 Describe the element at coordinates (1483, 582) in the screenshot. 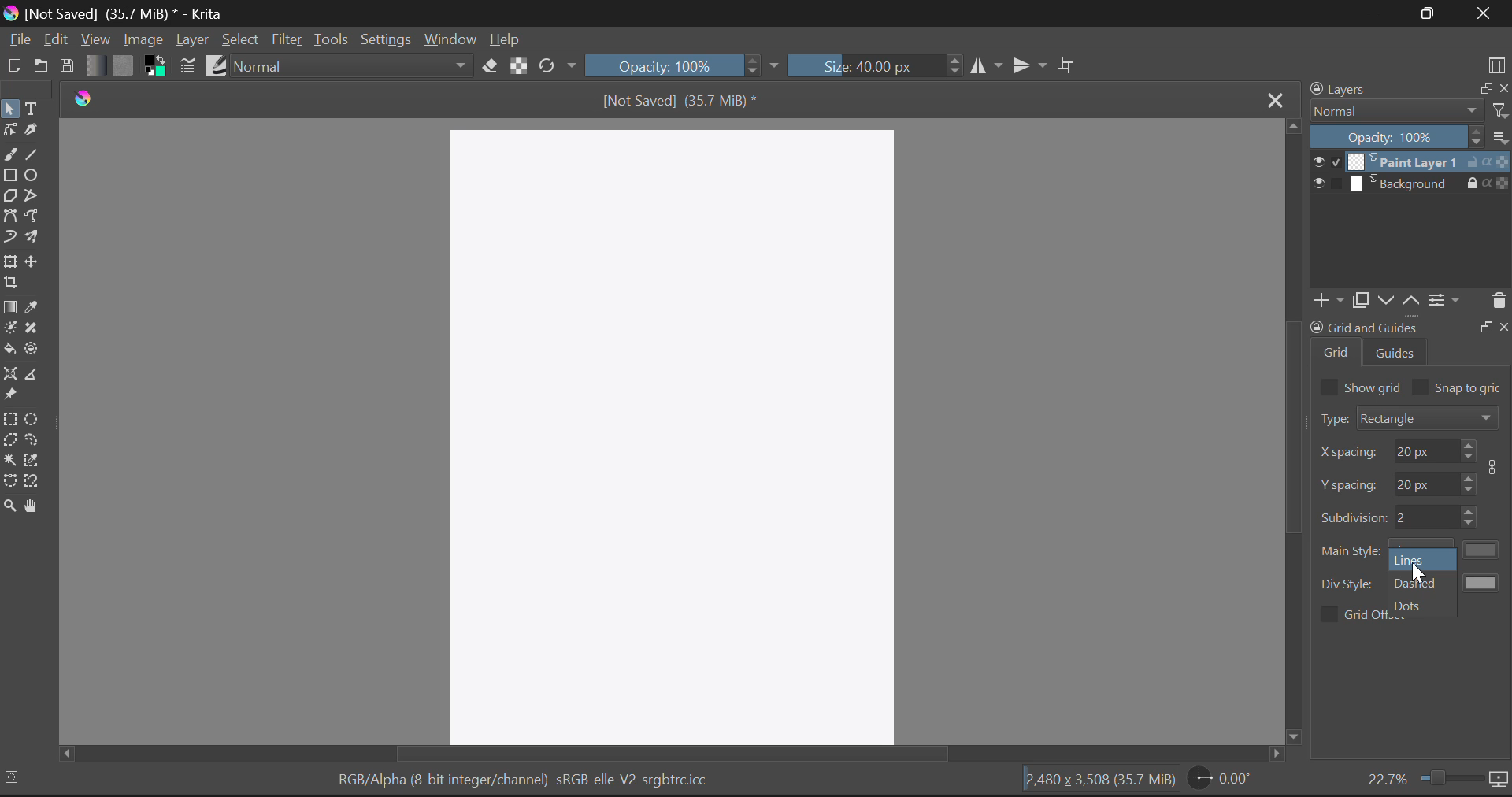

I see `color` at that location.